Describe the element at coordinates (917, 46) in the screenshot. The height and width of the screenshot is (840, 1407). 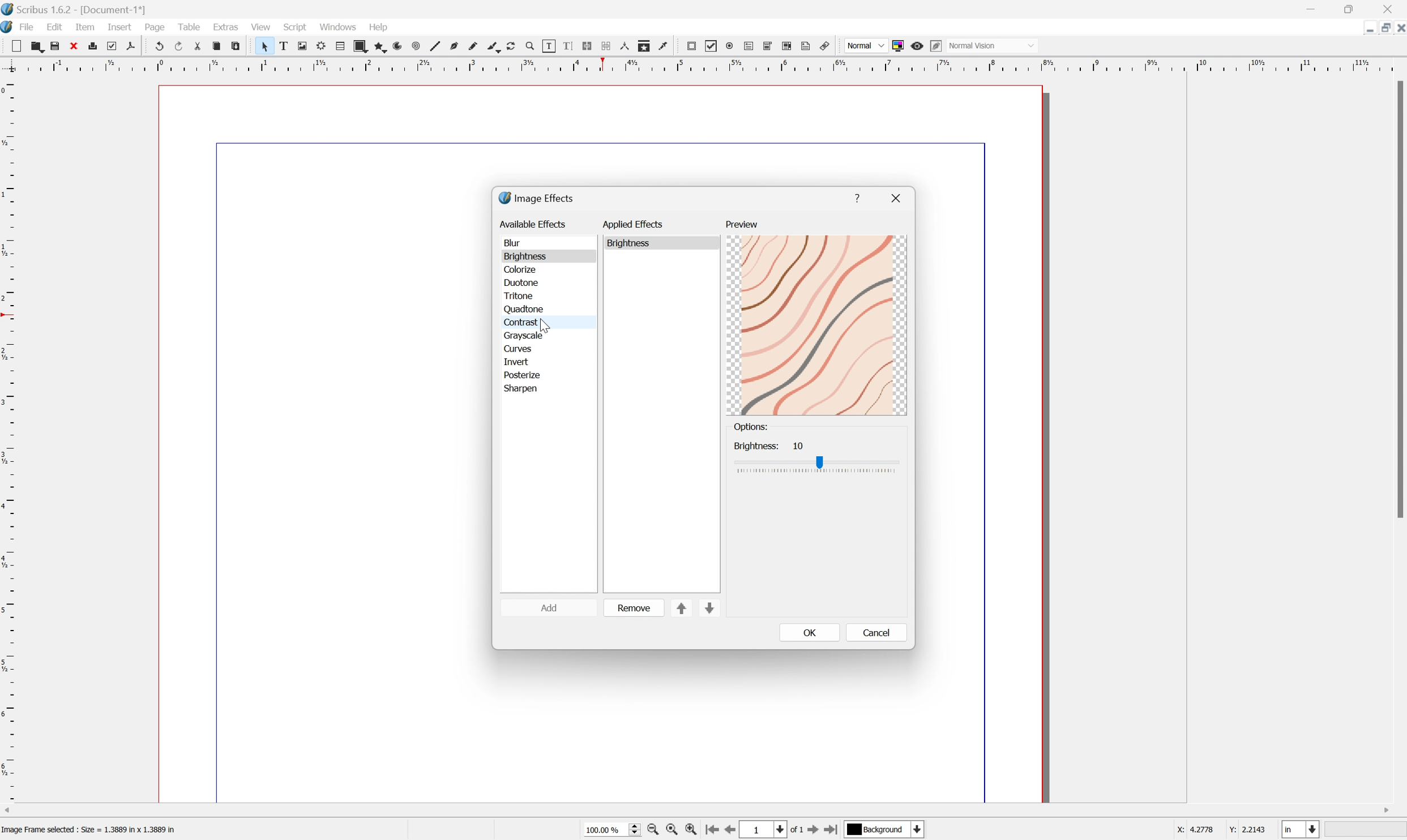
I see `Preview mode` at that location.